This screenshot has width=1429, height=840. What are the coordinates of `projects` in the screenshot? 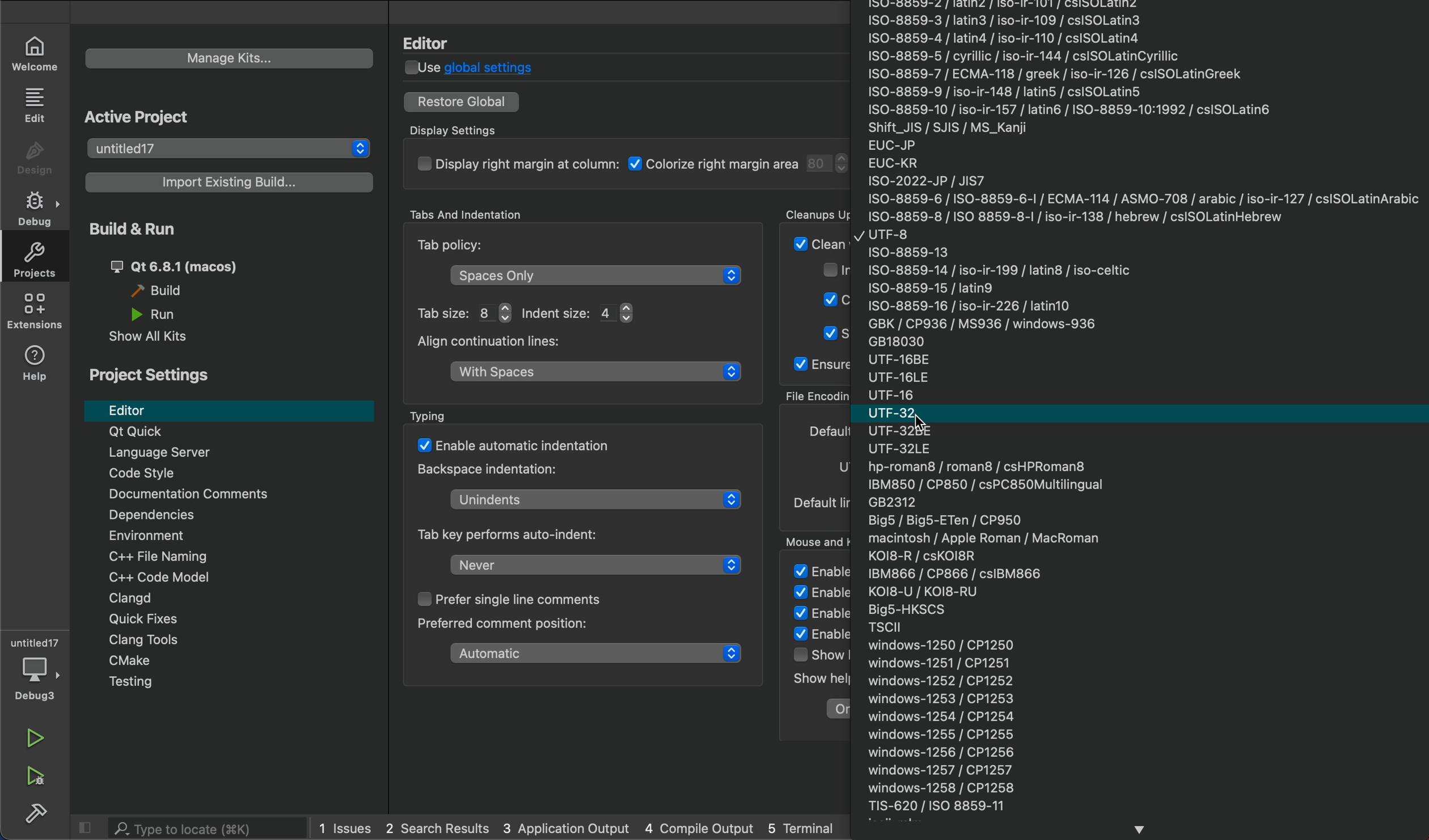 It's located at (40, 259).